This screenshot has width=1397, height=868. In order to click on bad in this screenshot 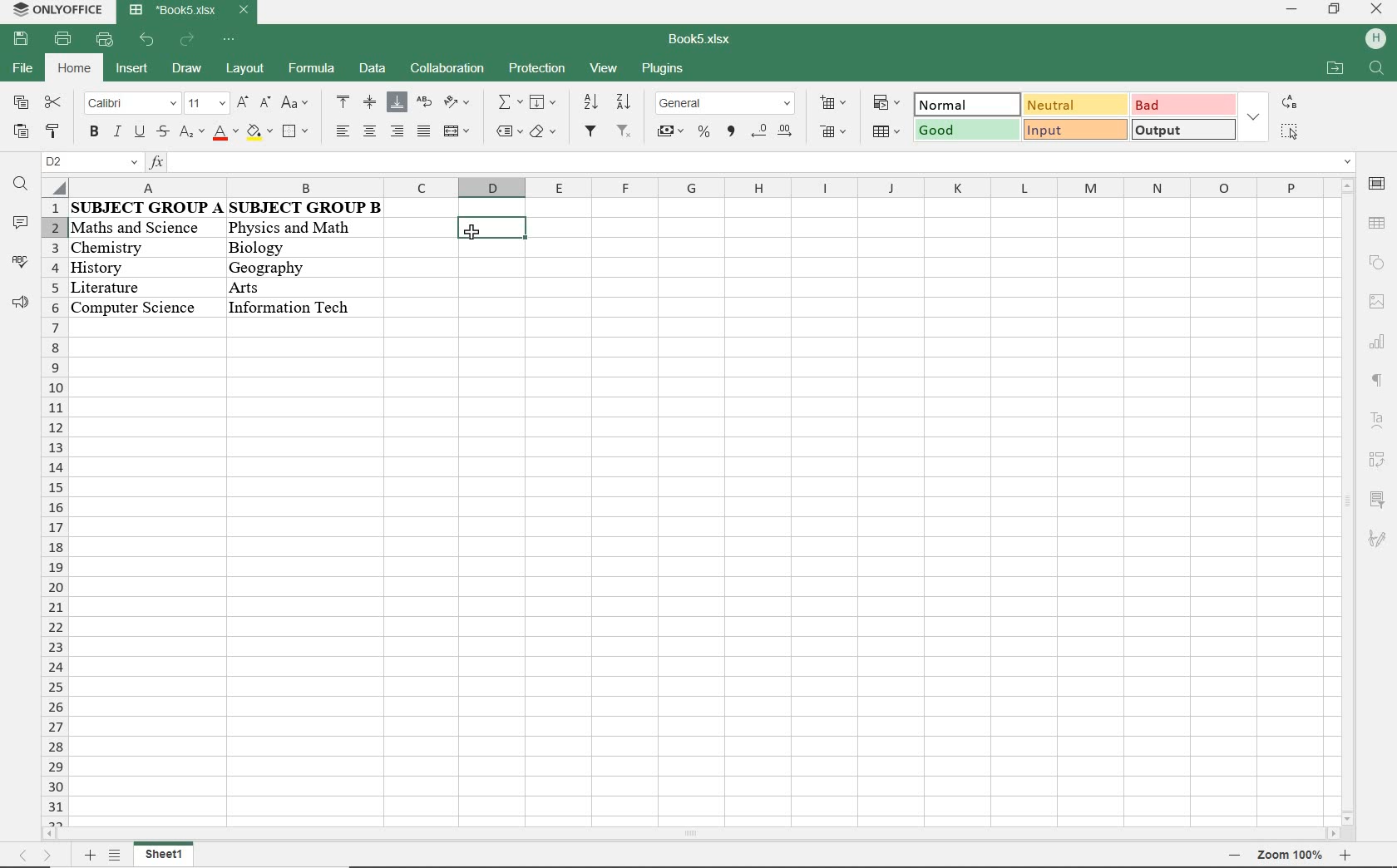, I will do `click(1183, 104)`.